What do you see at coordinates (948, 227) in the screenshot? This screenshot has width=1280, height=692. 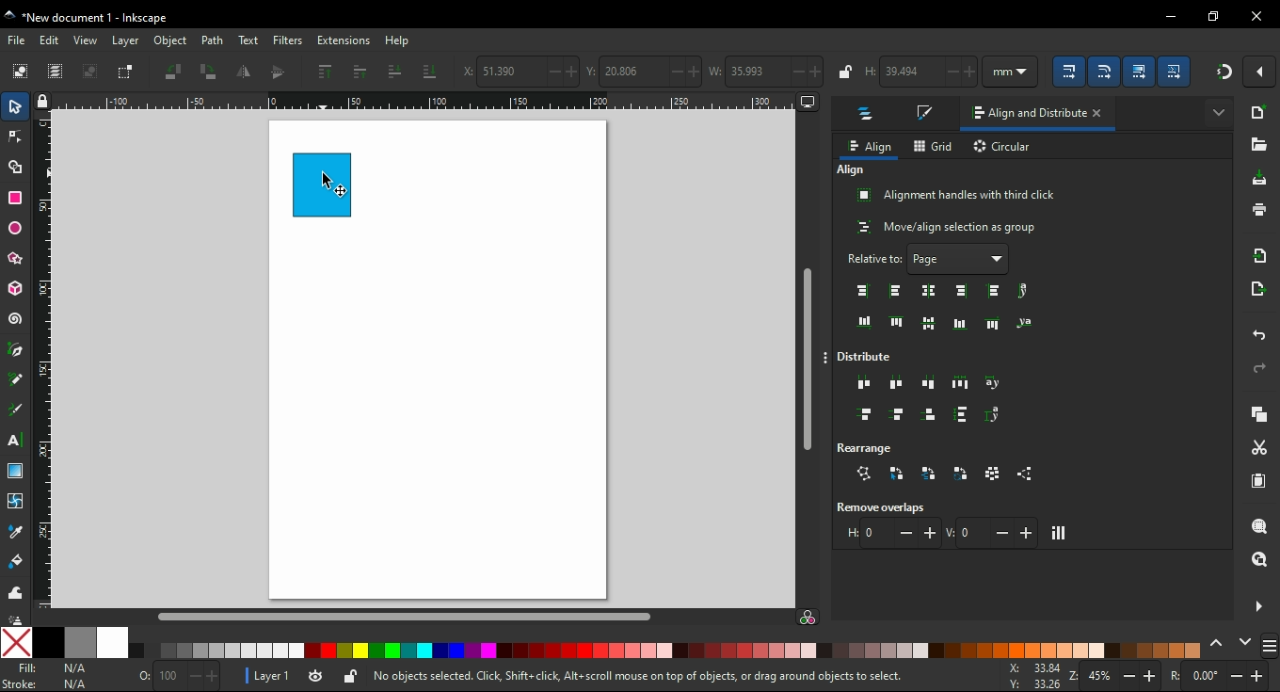 I see `move/align selection as group` at bounding box center [948, 227].